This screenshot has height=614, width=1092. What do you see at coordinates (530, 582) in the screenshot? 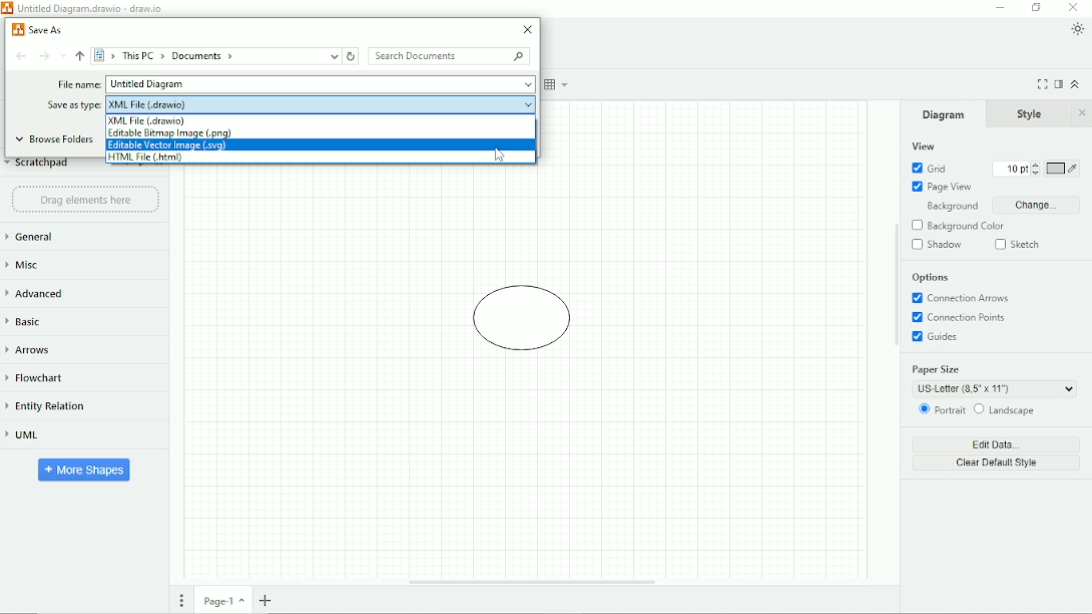
I see `Horizontal Scroll Bar` at bounding box center [530, 582].